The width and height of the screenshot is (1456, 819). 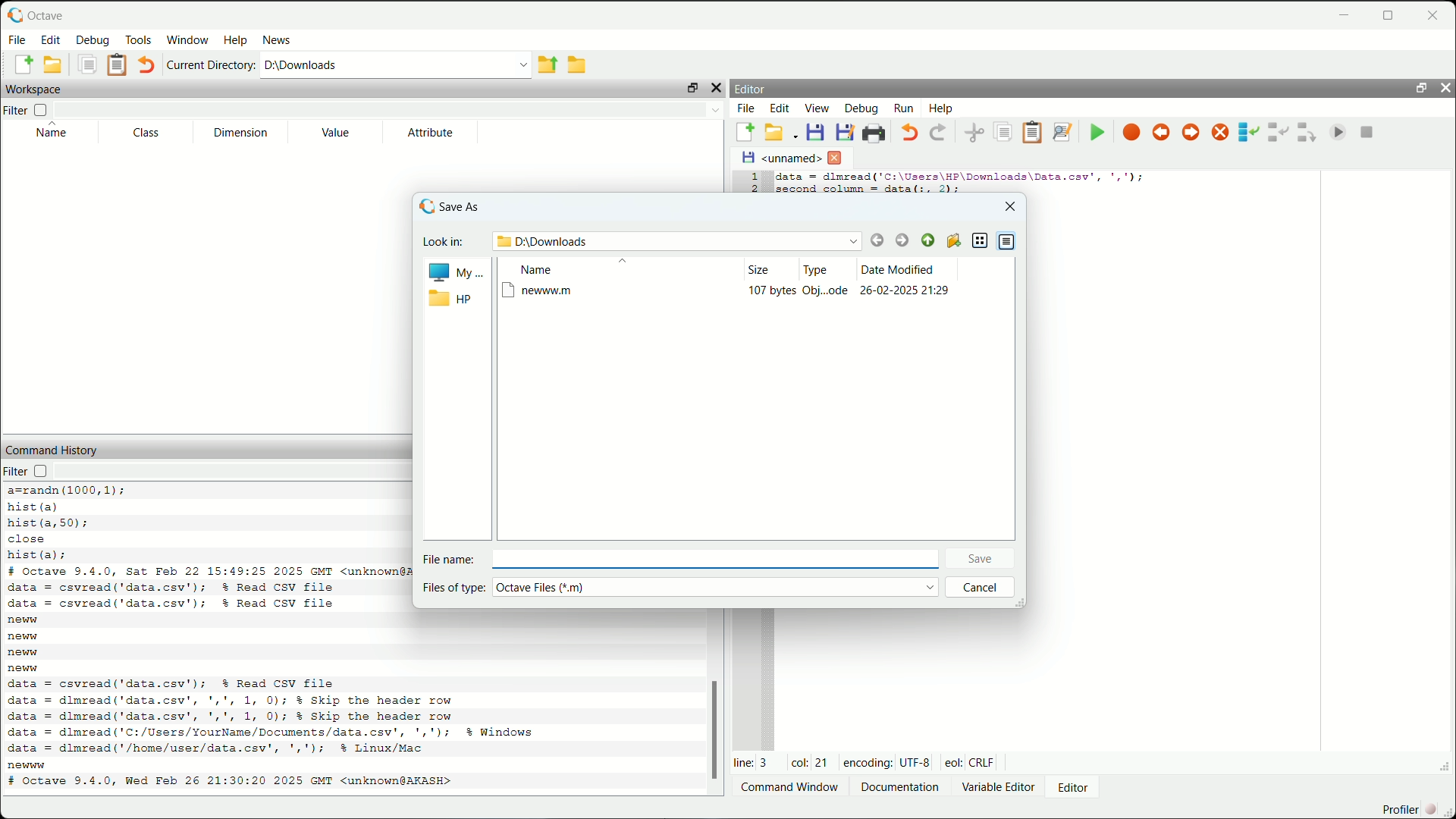 What do you see at coordinates (1442, 767) in the screenshot?
I see `expand` at bounding box center [1442, 767].